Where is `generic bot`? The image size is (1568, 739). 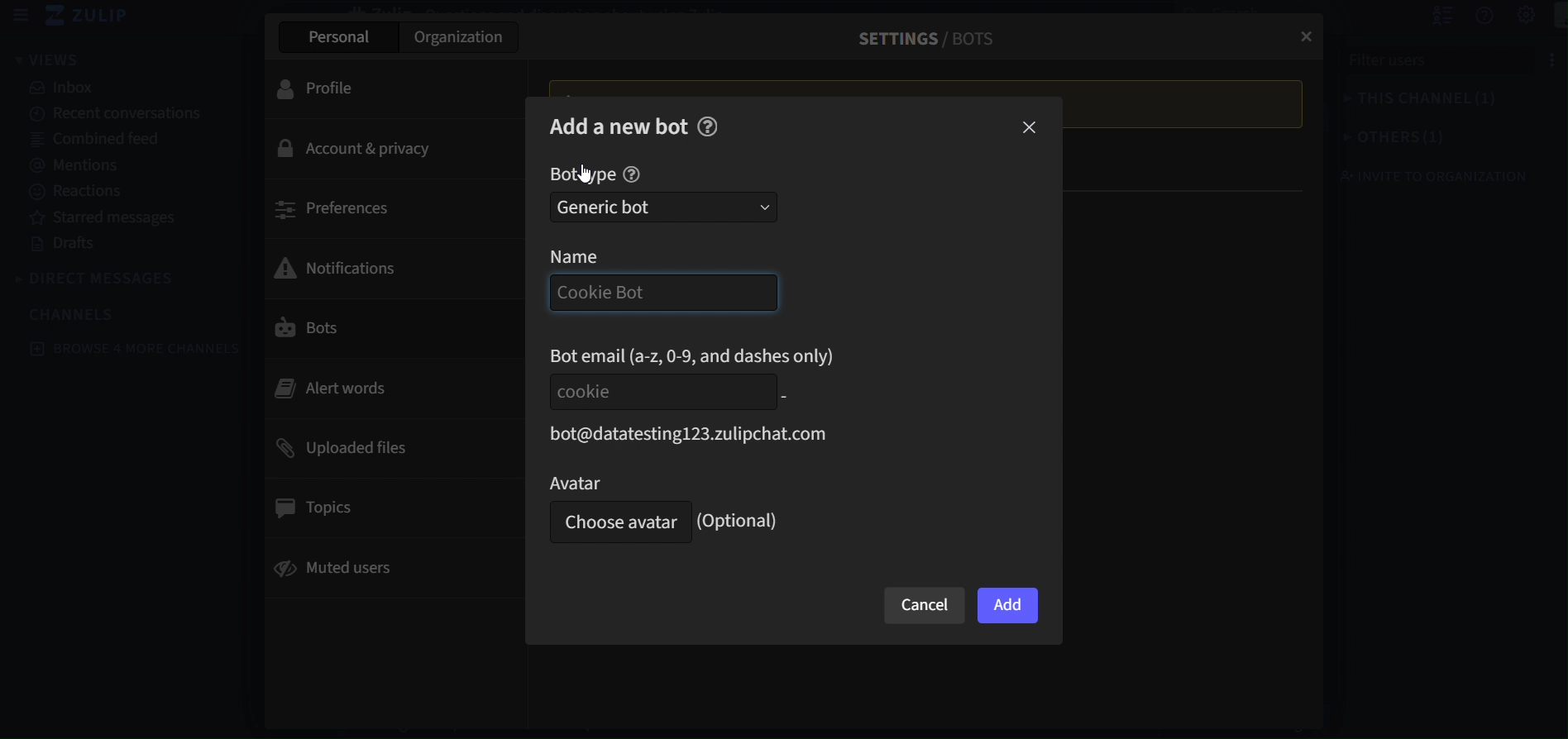 generic bot is located at coordinates (663, 207).